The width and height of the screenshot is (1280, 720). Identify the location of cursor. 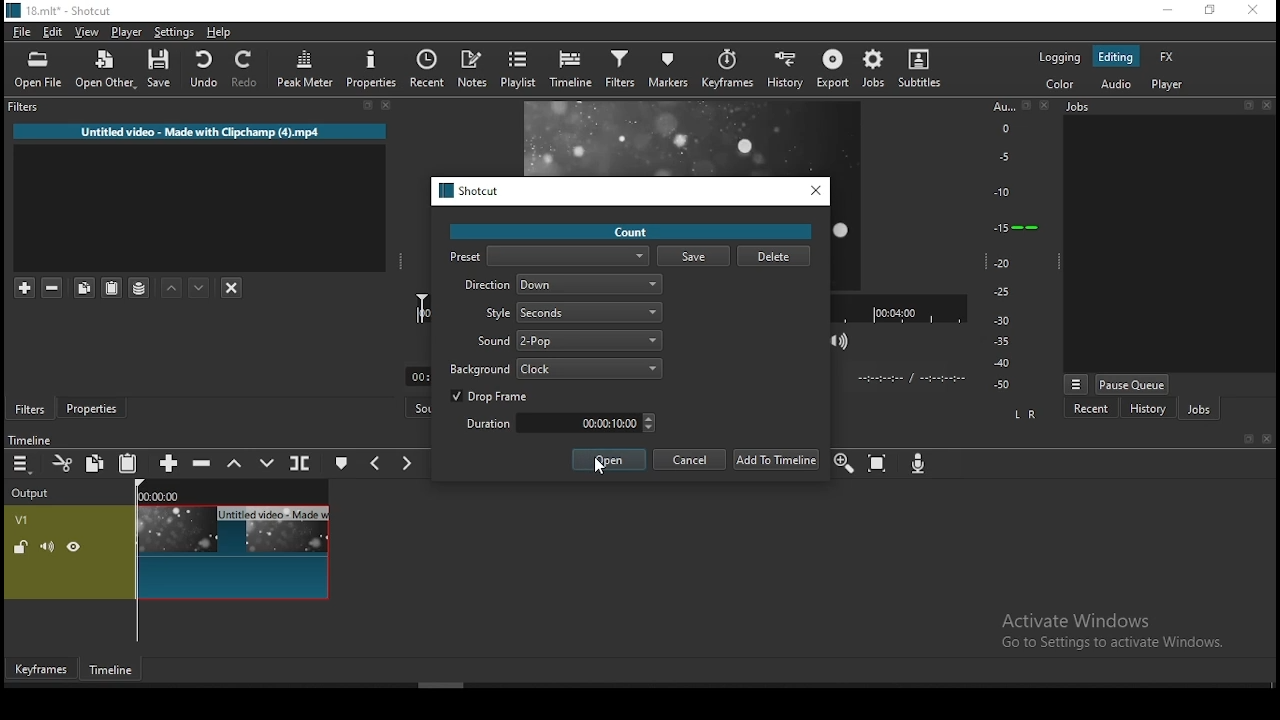
(602, 470).